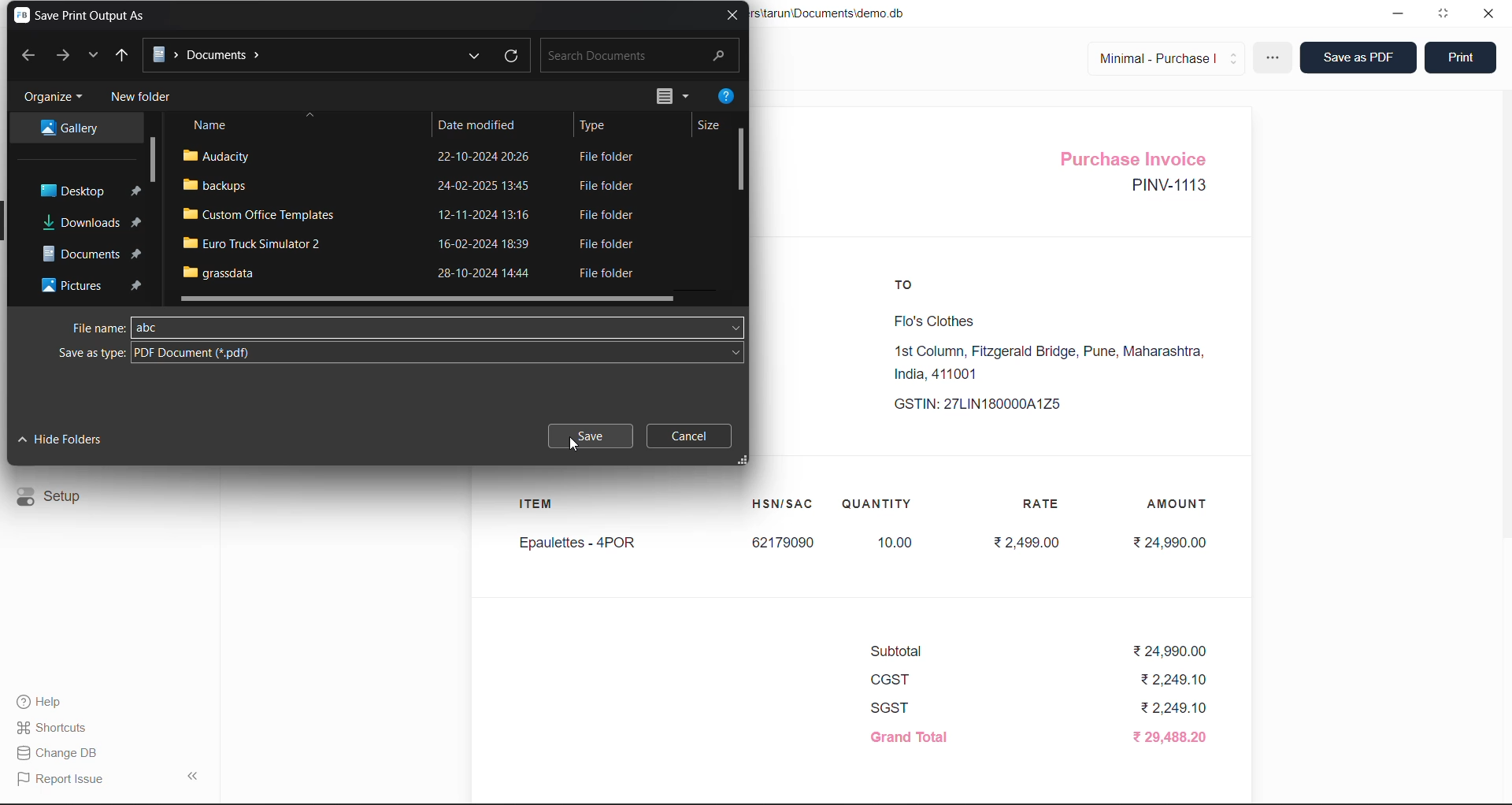 The image size is (1512, 805). I want to click on File folder, so click(617, 243).